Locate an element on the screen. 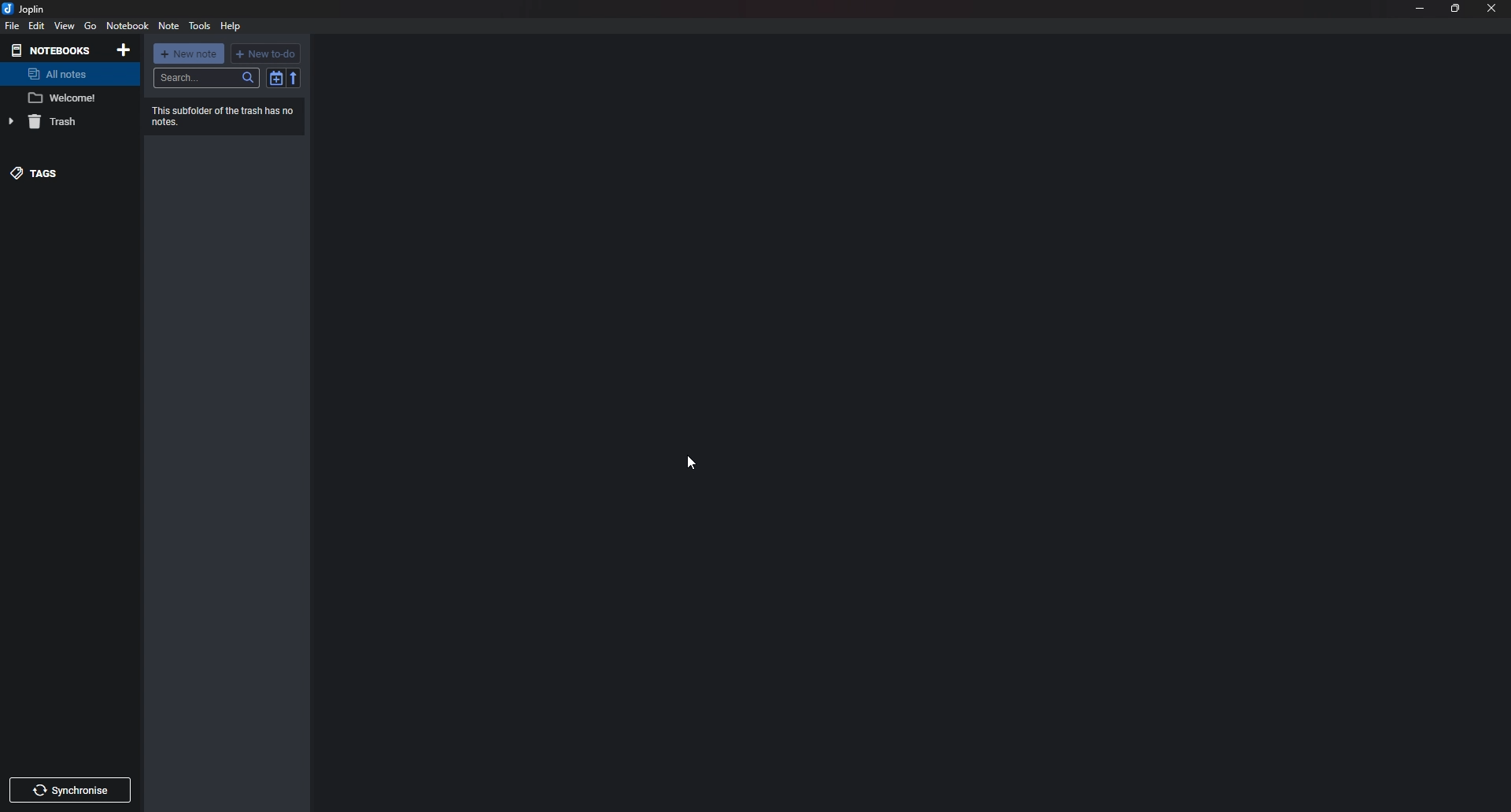 The image size is (1511, 812). All notes is located at coordinates (65, 74).